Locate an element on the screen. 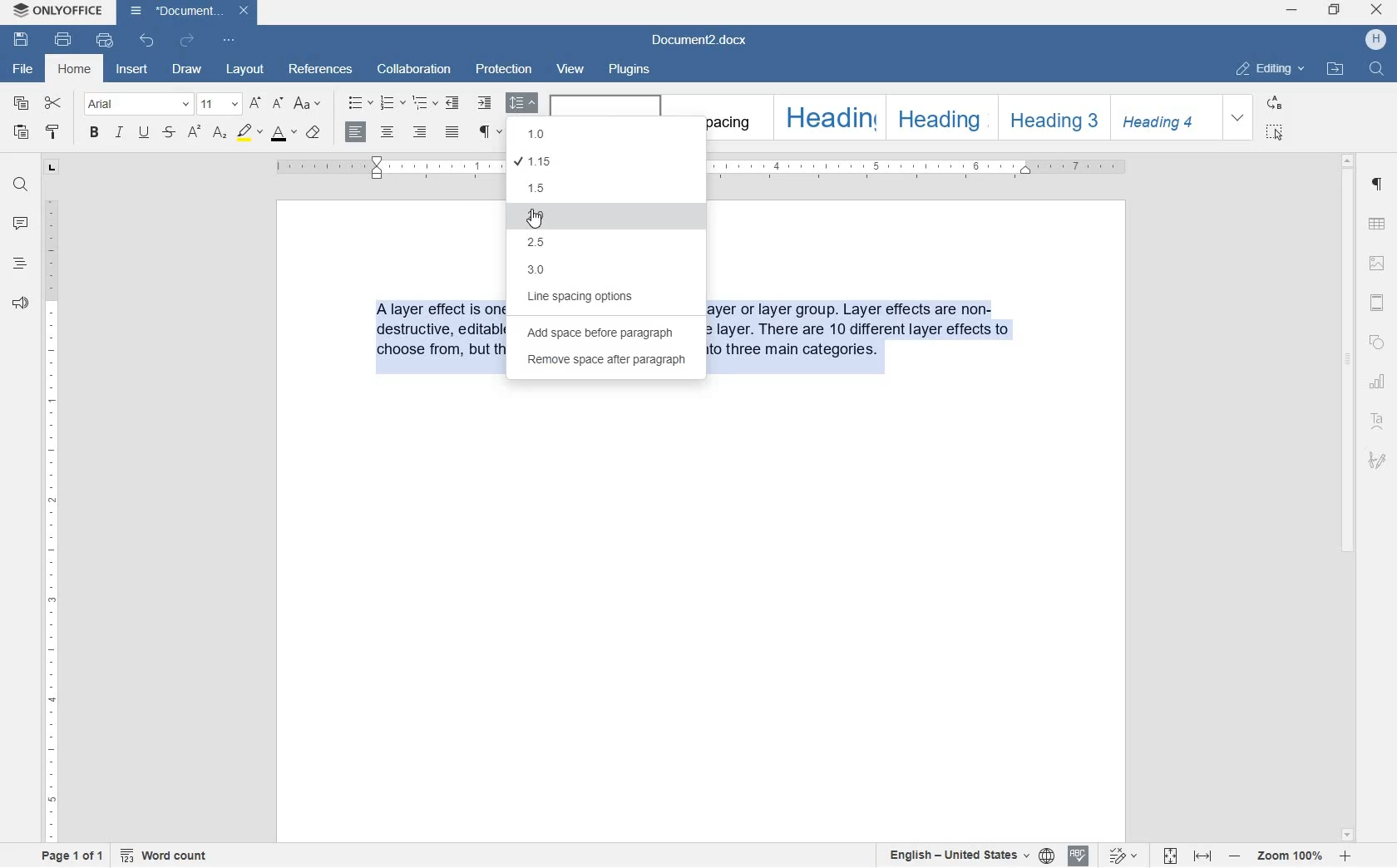 The image size is (1397, 868). 1.5 is located at coordinates (540, 189).